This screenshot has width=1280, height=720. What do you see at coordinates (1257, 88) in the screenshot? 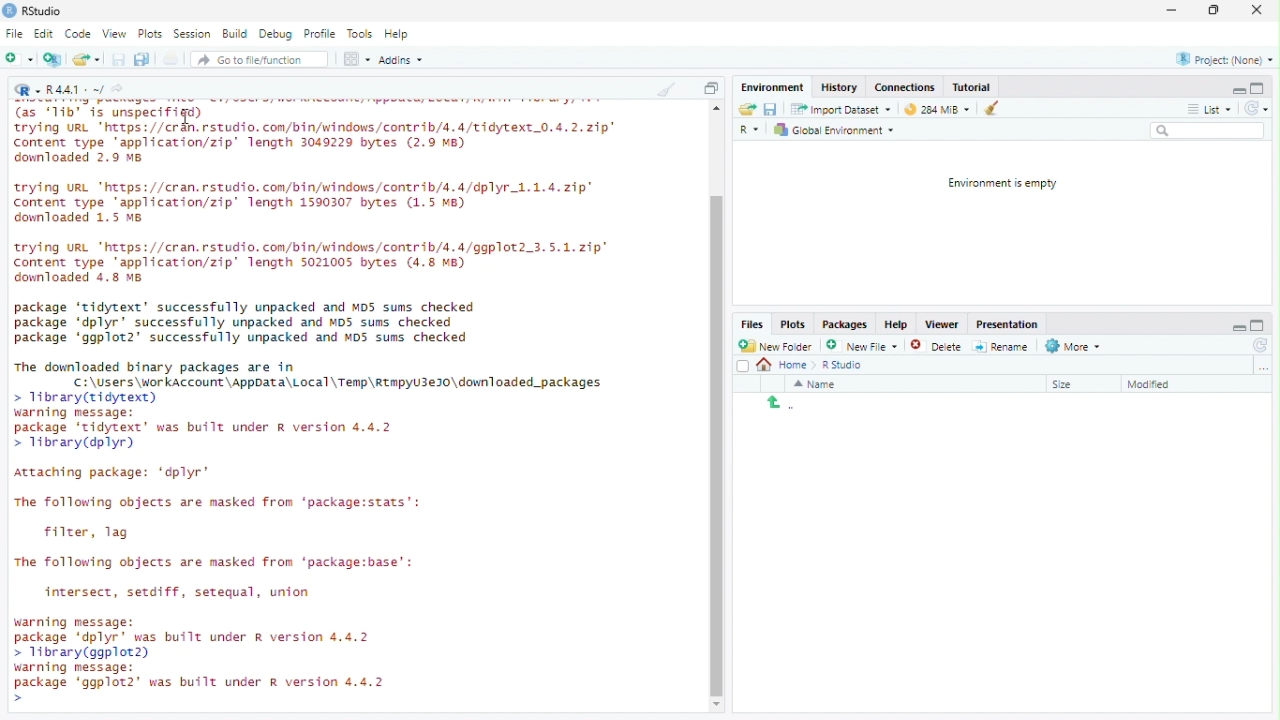
I see `Maximize` at bounding box center [1257, 88].